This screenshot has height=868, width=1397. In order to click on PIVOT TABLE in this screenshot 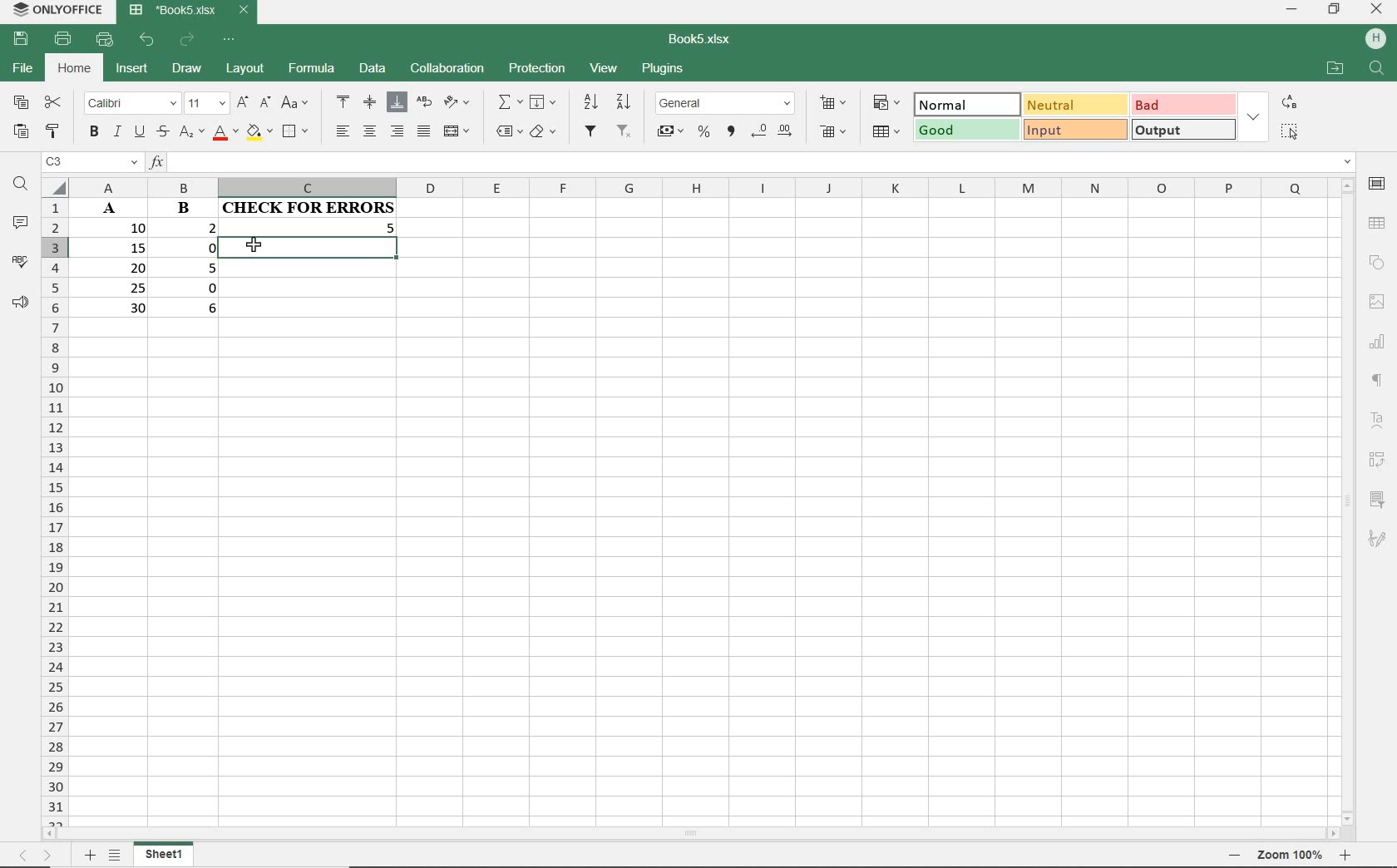, I will do `click(1375, 461)`.